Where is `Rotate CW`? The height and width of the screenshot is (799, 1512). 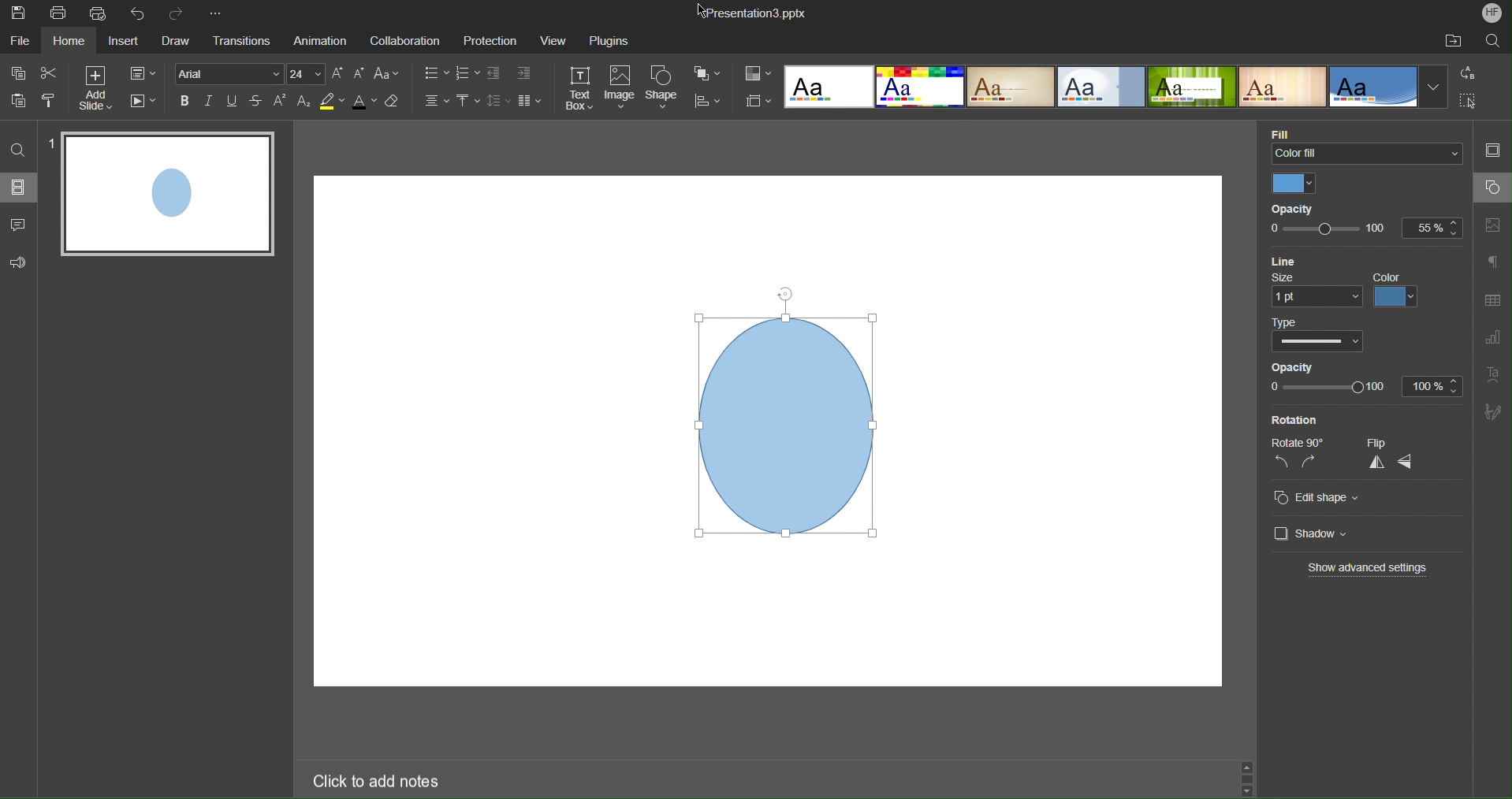 Rotate CW is located at coordinates (1309, 463).